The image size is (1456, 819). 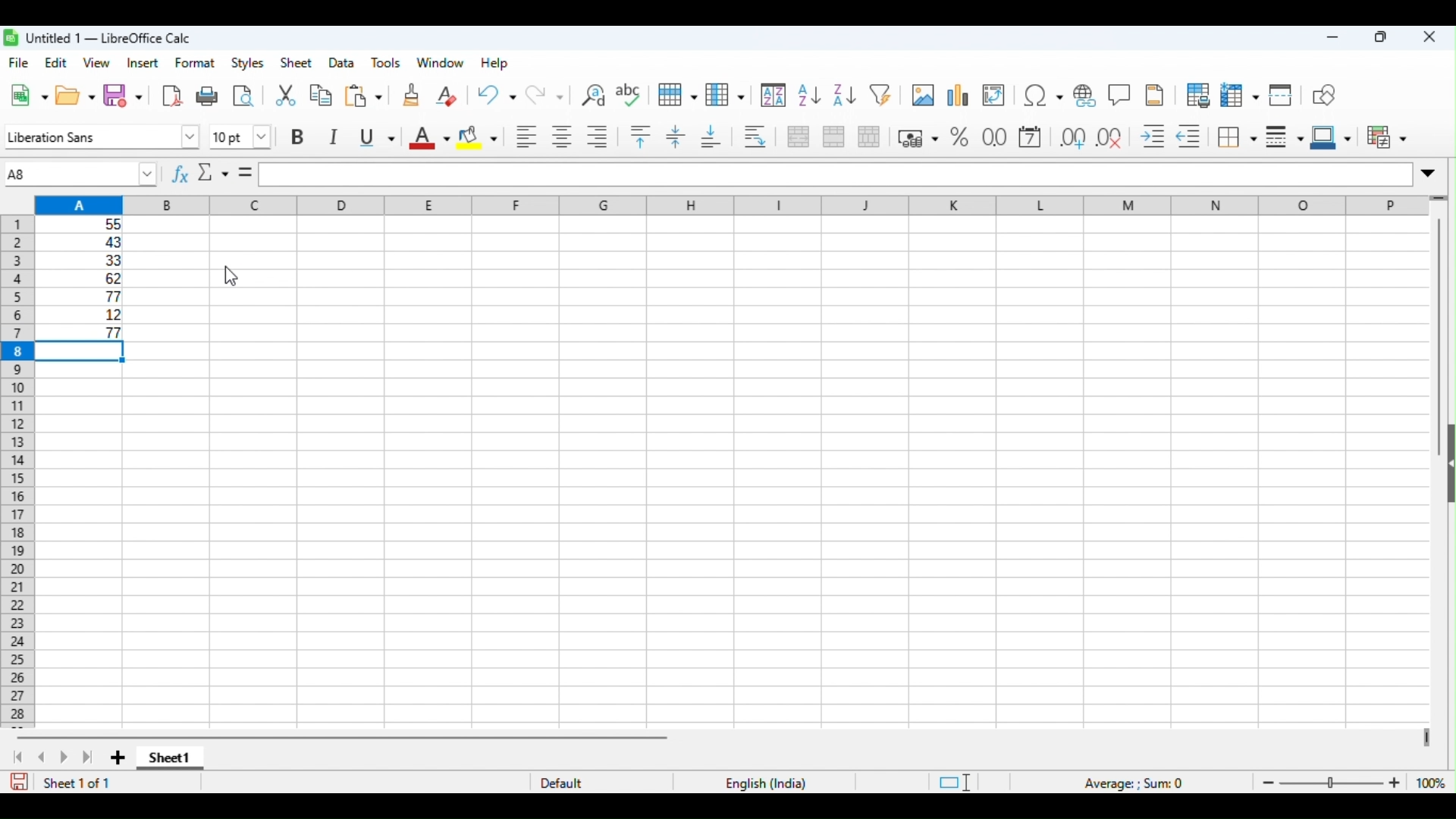 I want to click on align center, so click(x=563, y=137).